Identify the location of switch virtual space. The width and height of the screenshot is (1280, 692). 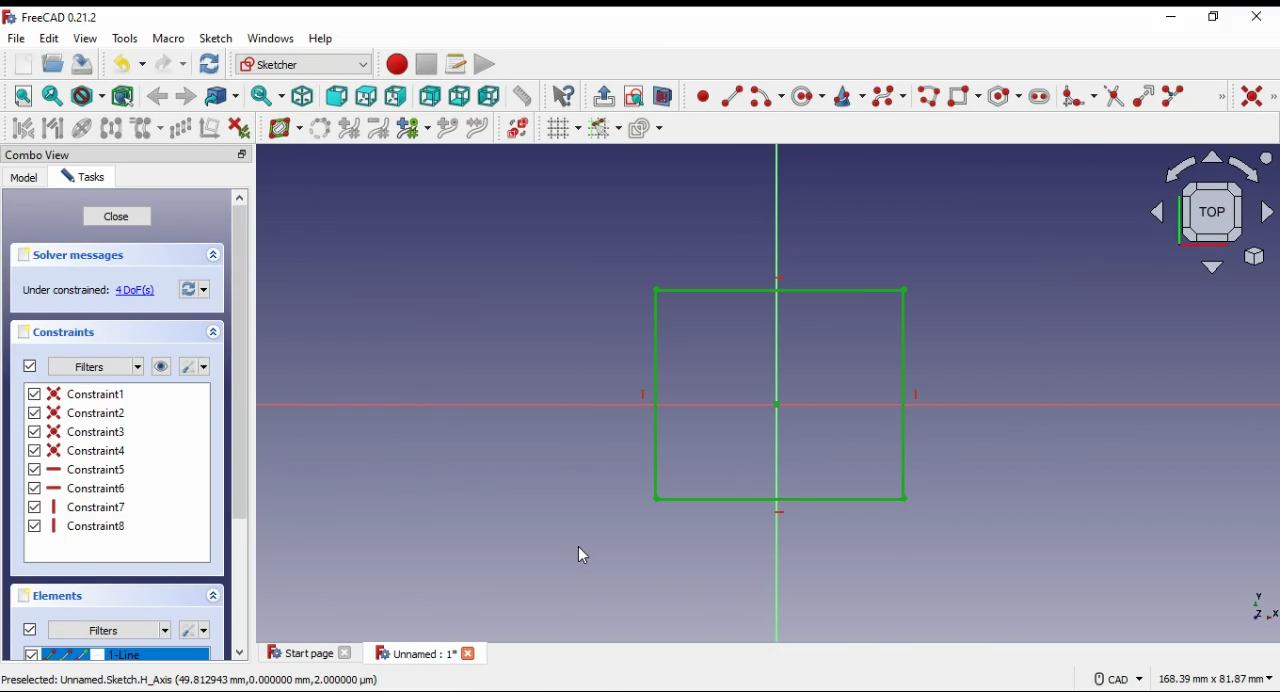
(517, 128).